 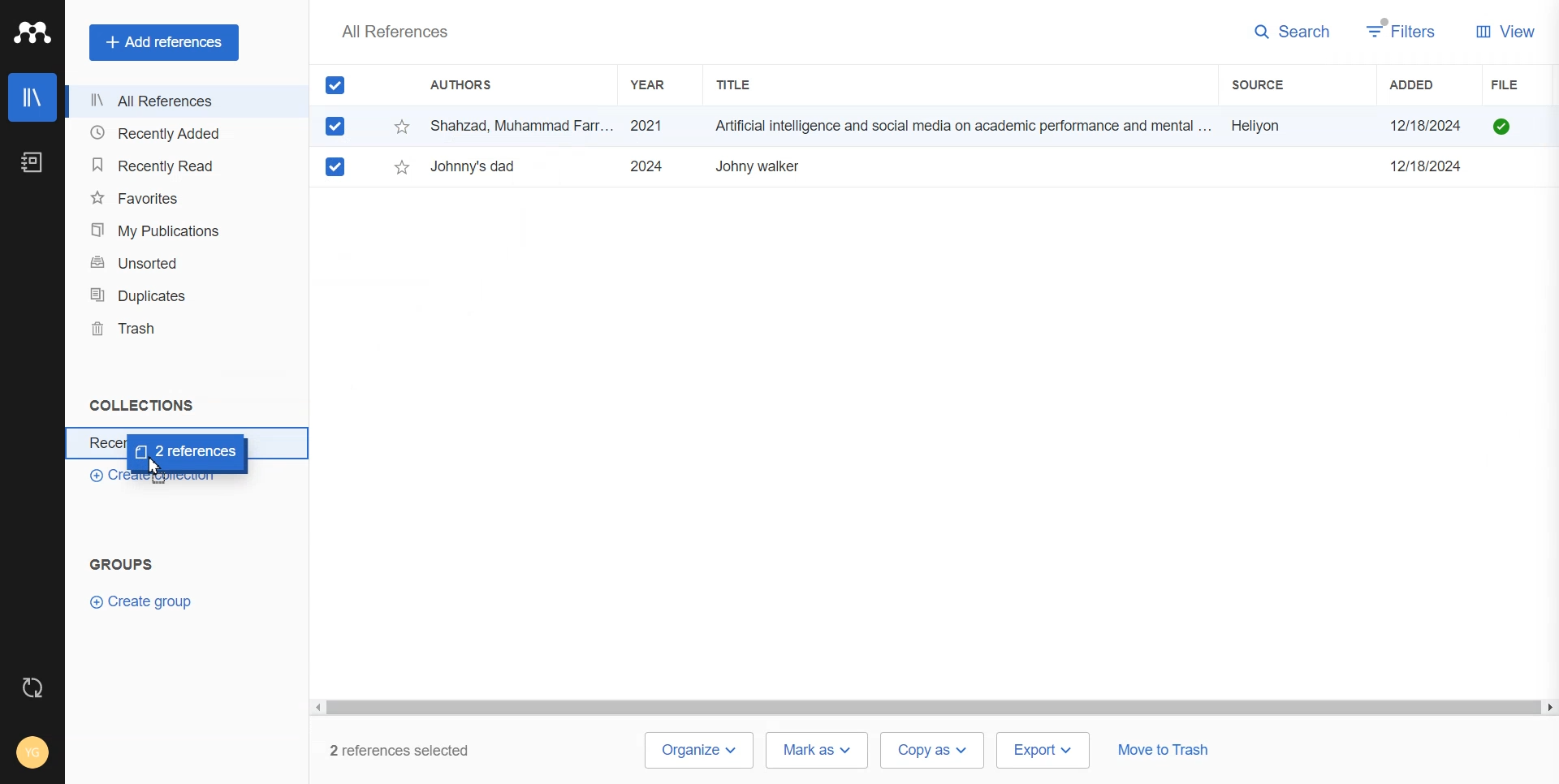 I want to click on Add references, so click(x=164, y=42).